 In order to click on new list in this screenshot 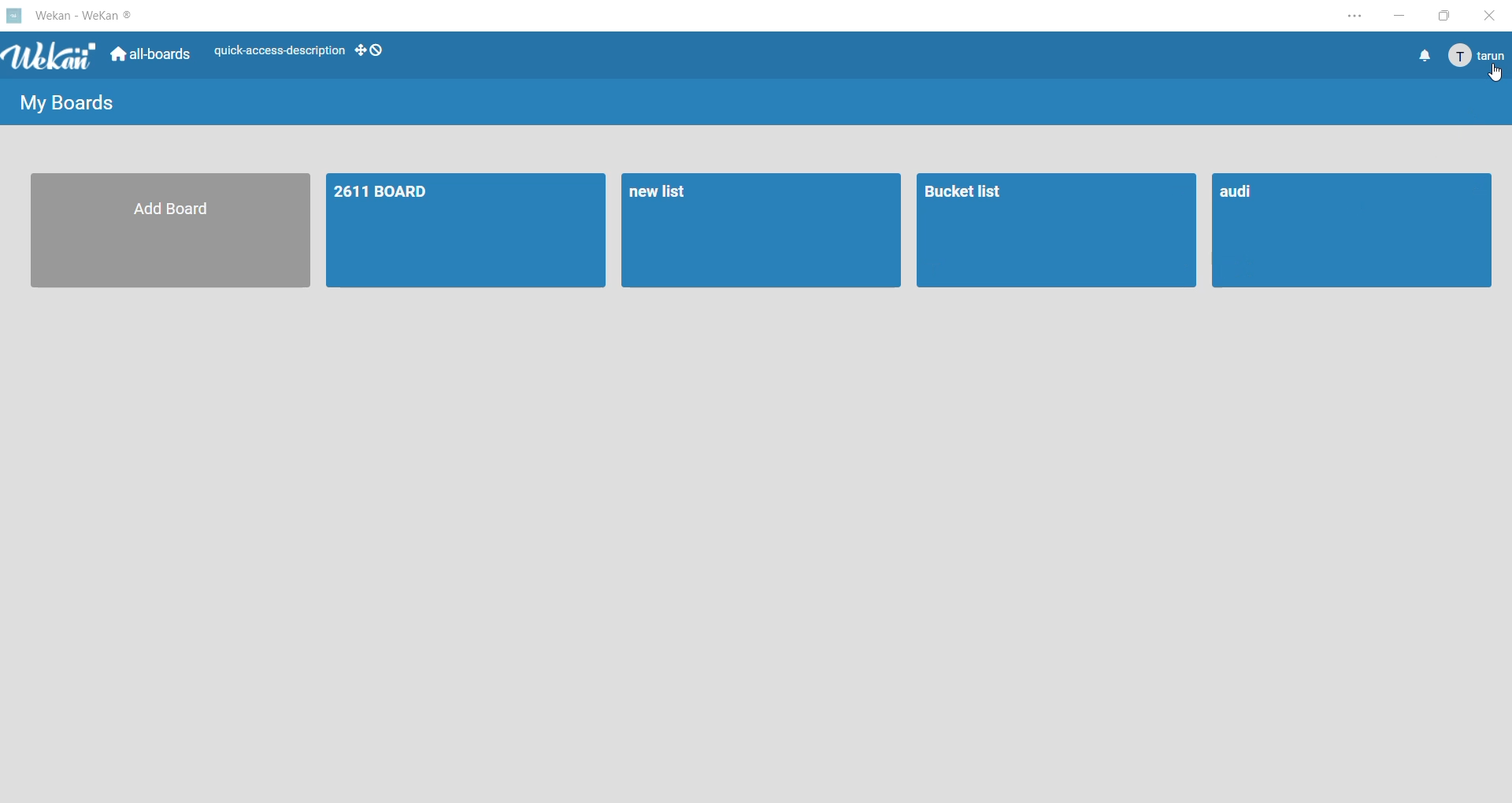, I will do `click(759, 228)`.